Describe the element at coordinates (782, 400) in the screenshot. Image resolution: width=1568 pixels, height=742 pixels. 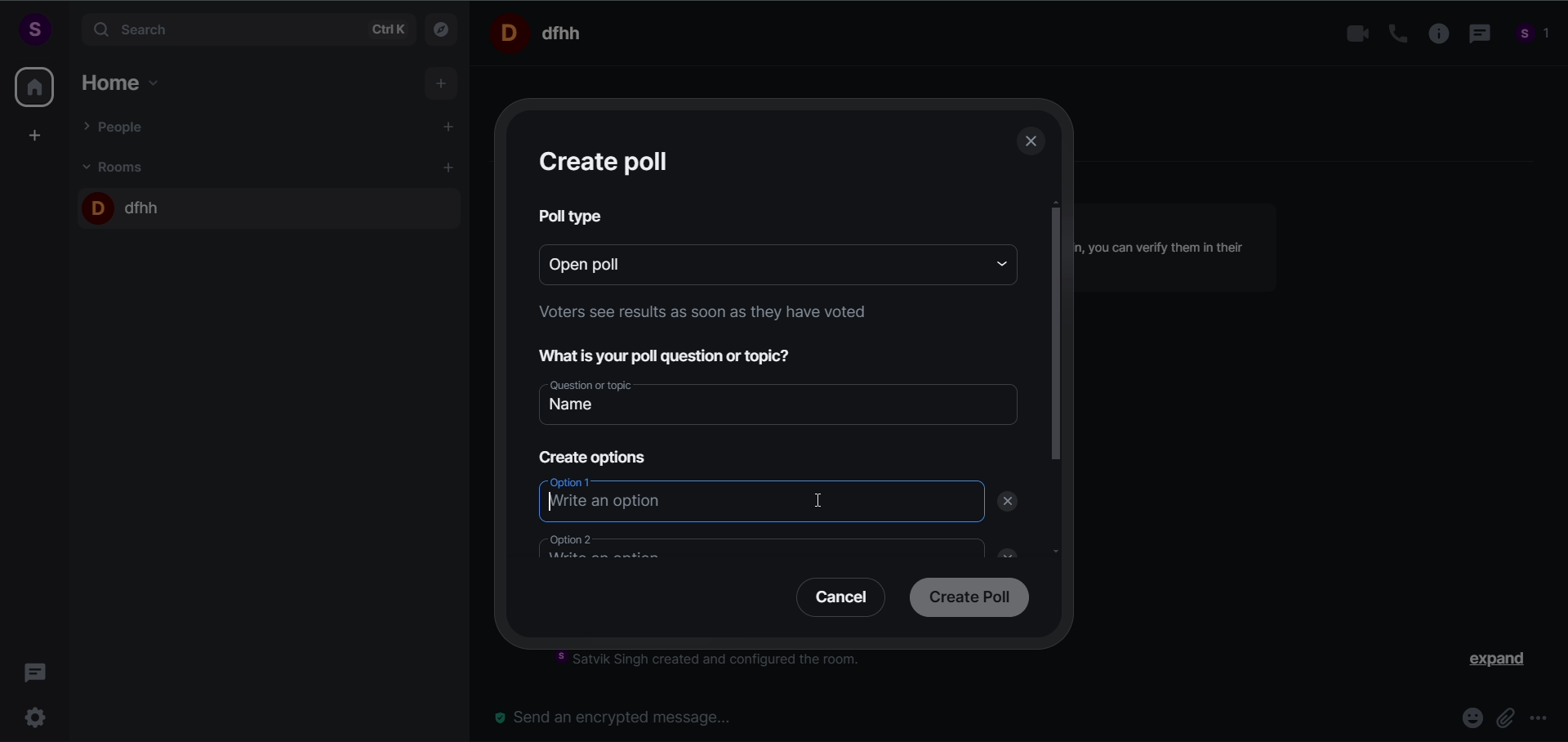
I see `question or topic` at that location.